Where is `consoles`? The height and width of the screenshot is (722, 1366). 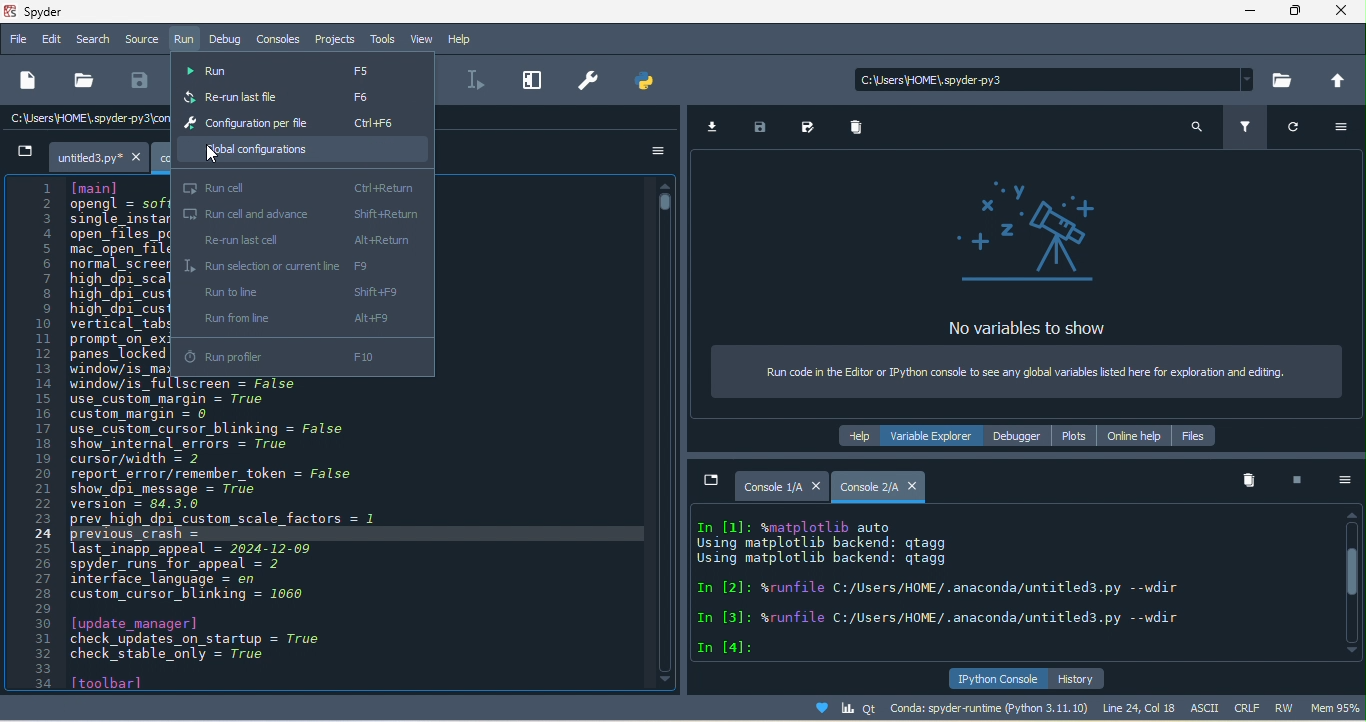 consoles is located at coordinates (279, 41).